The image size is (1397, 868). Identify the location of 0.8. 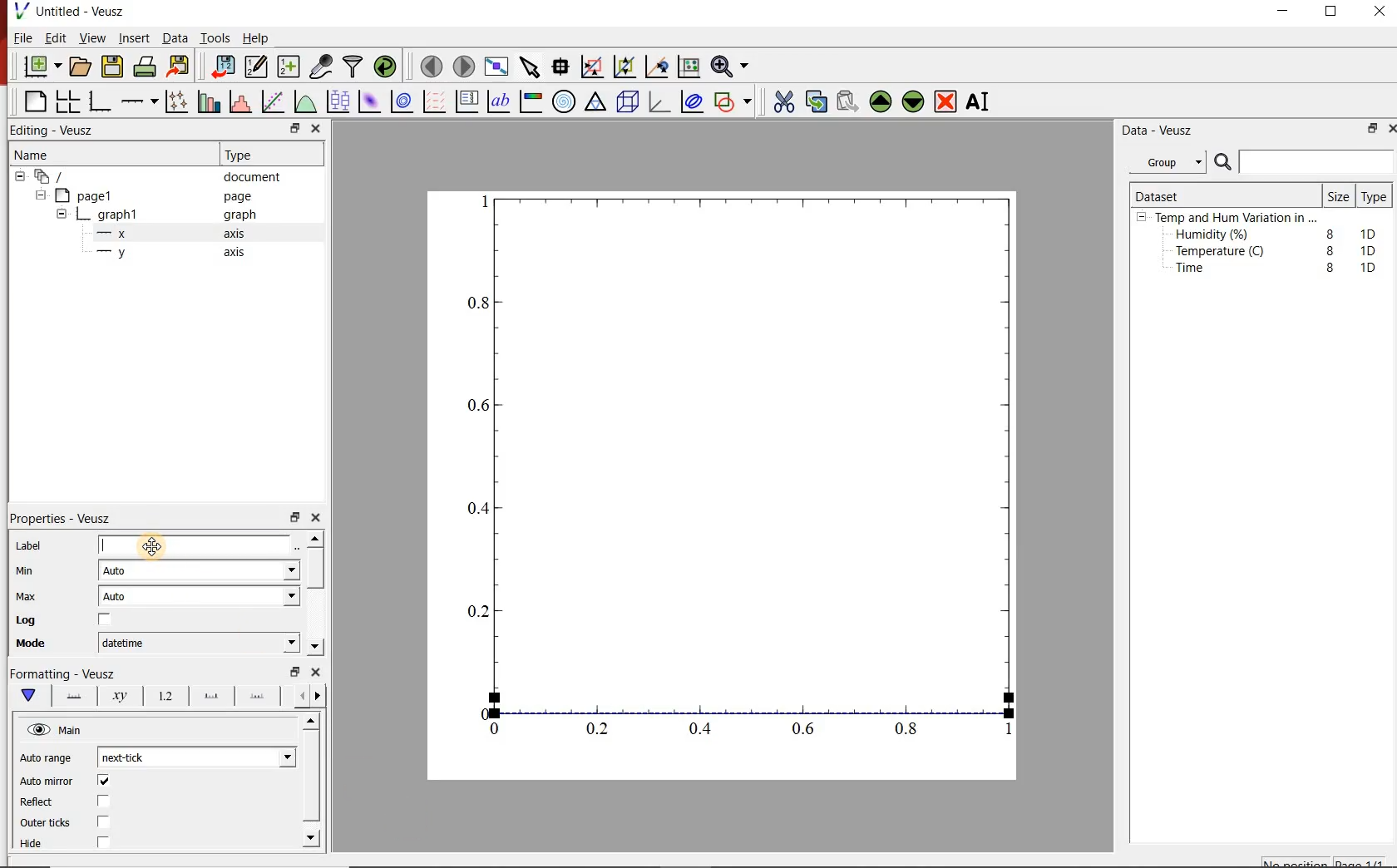
(911, 732).